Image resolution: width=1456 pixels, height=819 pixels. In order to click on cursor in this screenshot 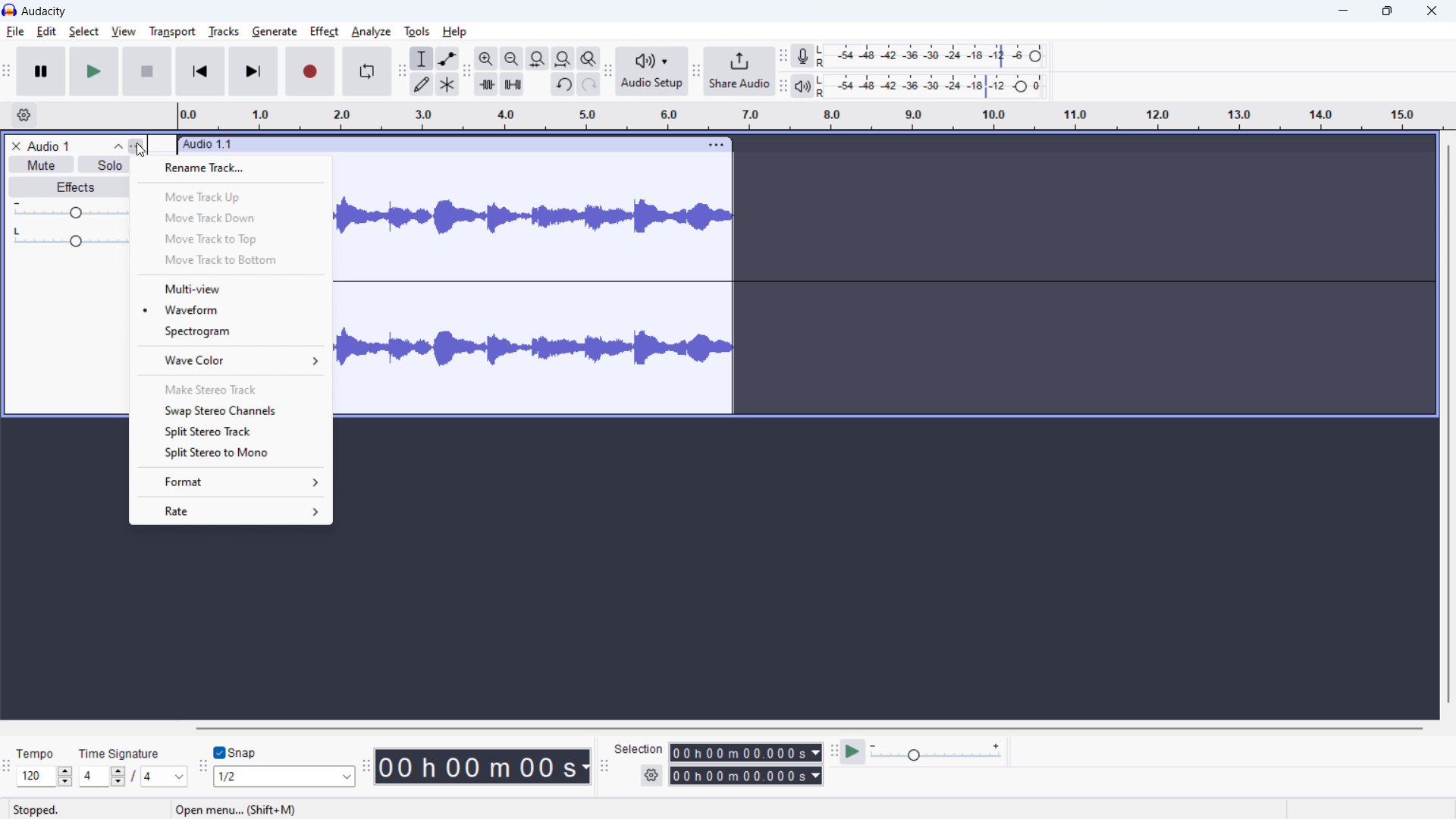, I will do `click(142, 150)`.